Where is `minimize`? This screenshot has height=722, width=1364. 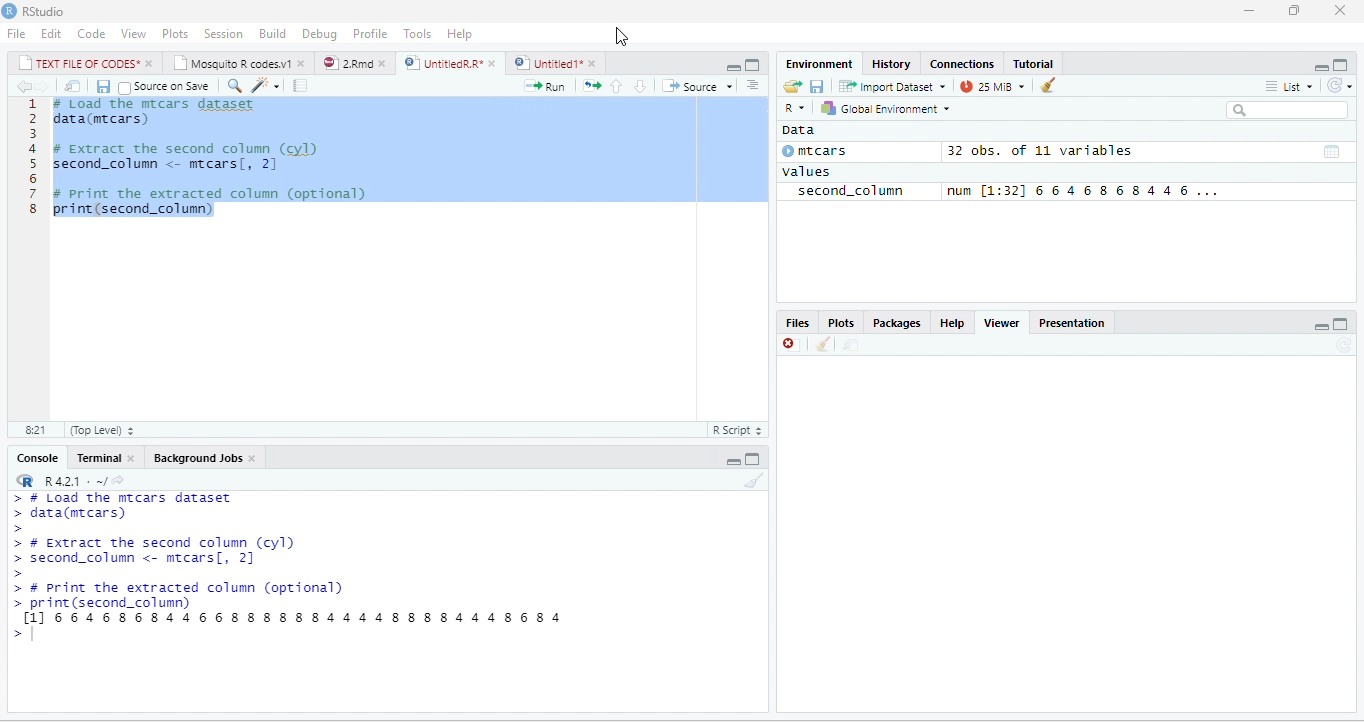
minimize is located at coordinates (735, 457).